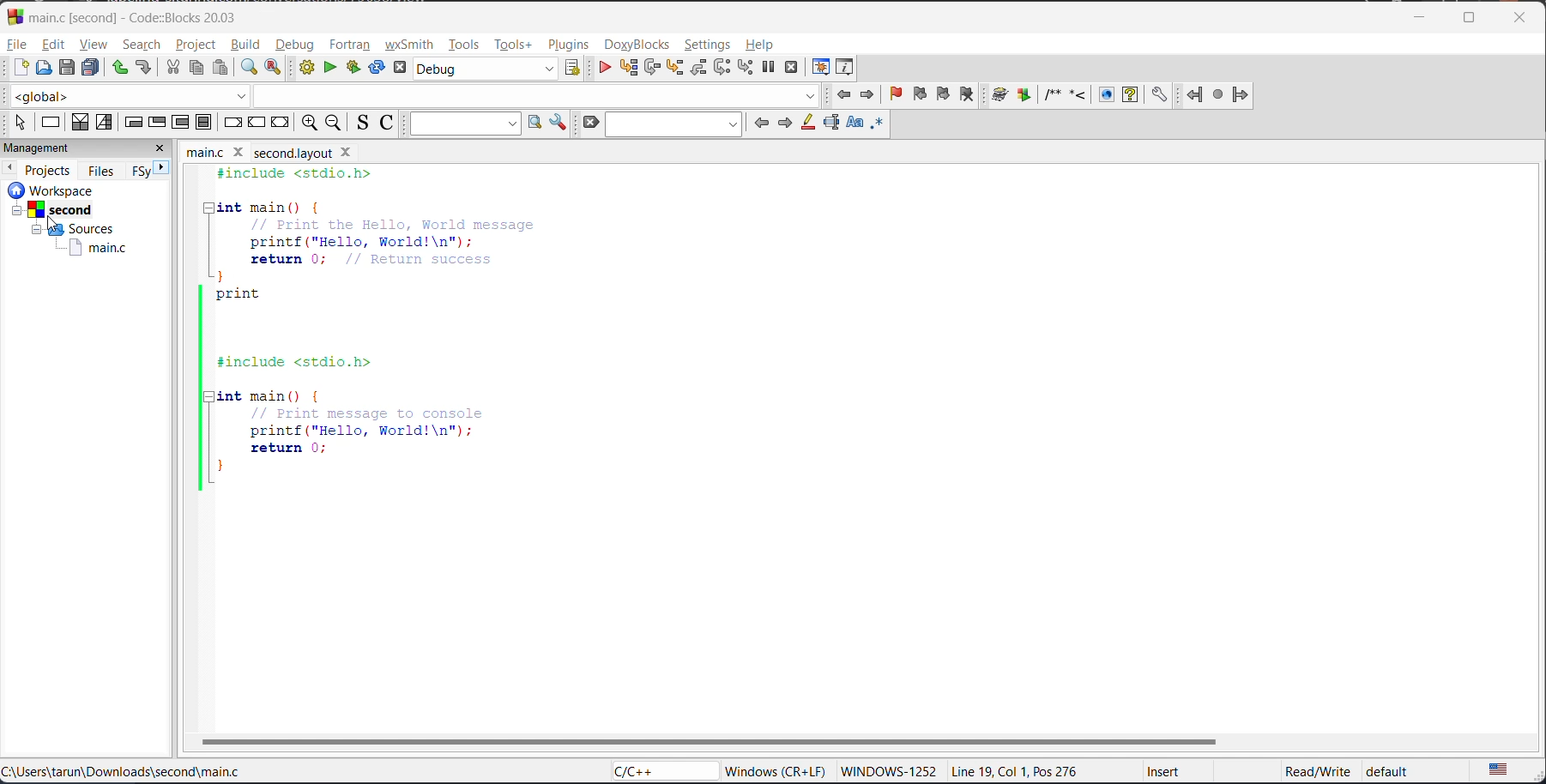 This screenshot has height=784, width=1546. What do you see at coordinates (785, 125) in the screenshot?
I see `next` at bounding box center [785, 125].